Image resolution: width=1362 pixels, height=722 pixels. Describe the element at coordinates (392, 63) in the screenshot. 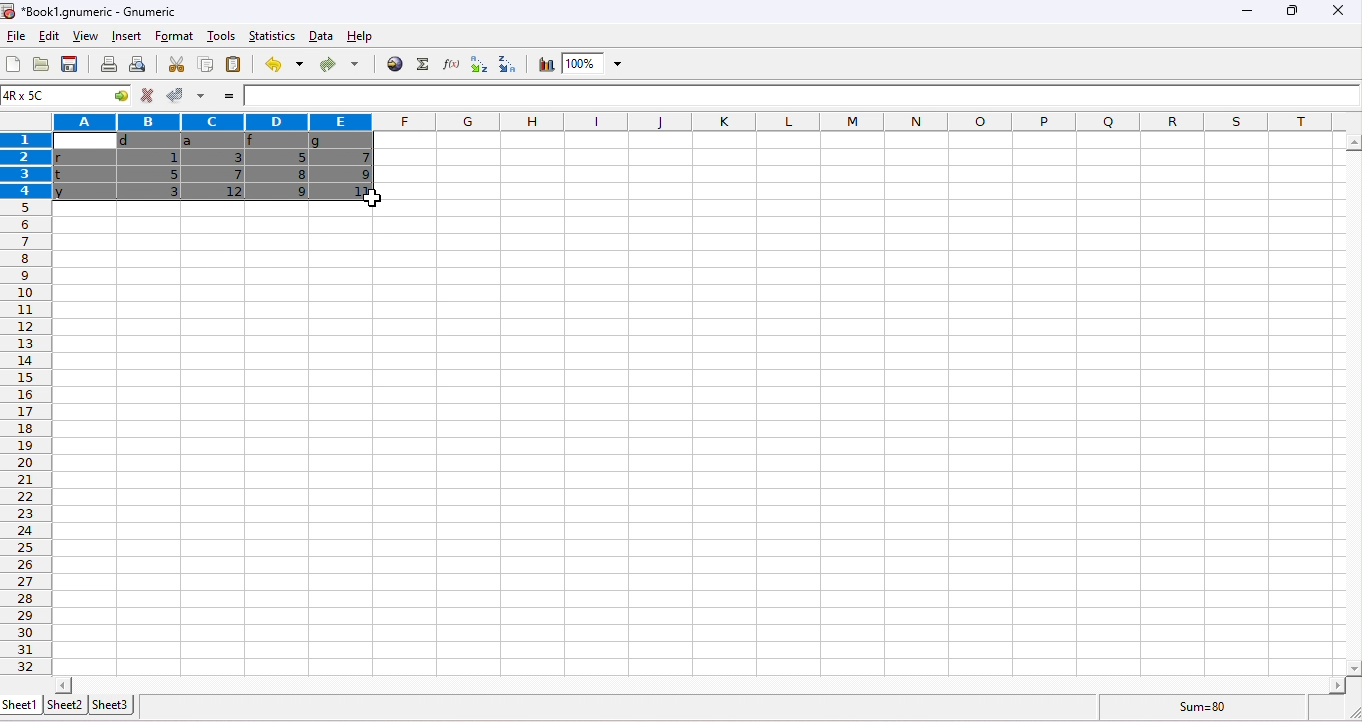

I see `hyperlink` at that location.